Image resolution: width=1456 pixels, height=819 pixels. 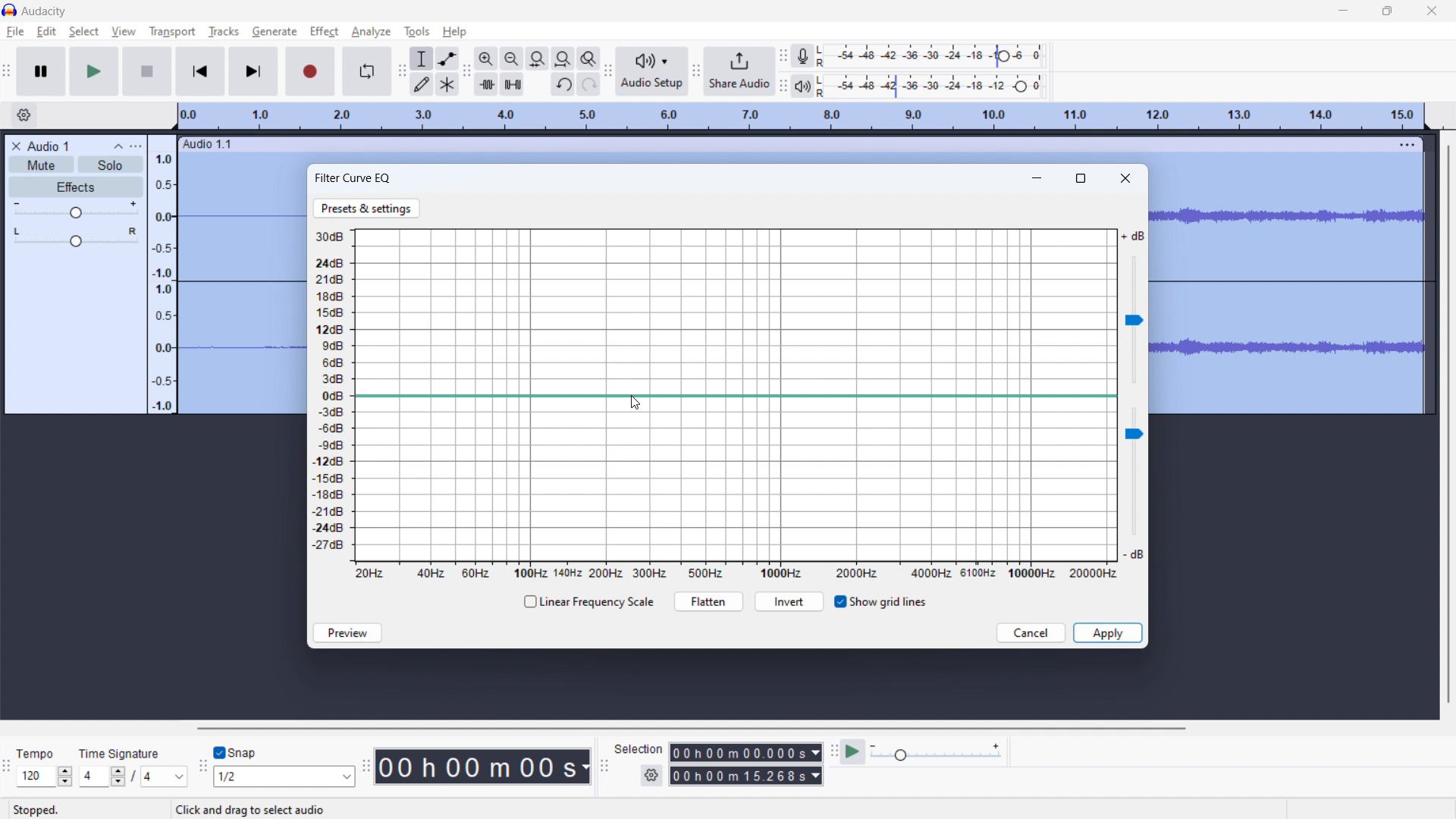 What do you see at coordinates (15, 146) in the screenshot?
I see `delete audio` at bounding box center [15, 146].